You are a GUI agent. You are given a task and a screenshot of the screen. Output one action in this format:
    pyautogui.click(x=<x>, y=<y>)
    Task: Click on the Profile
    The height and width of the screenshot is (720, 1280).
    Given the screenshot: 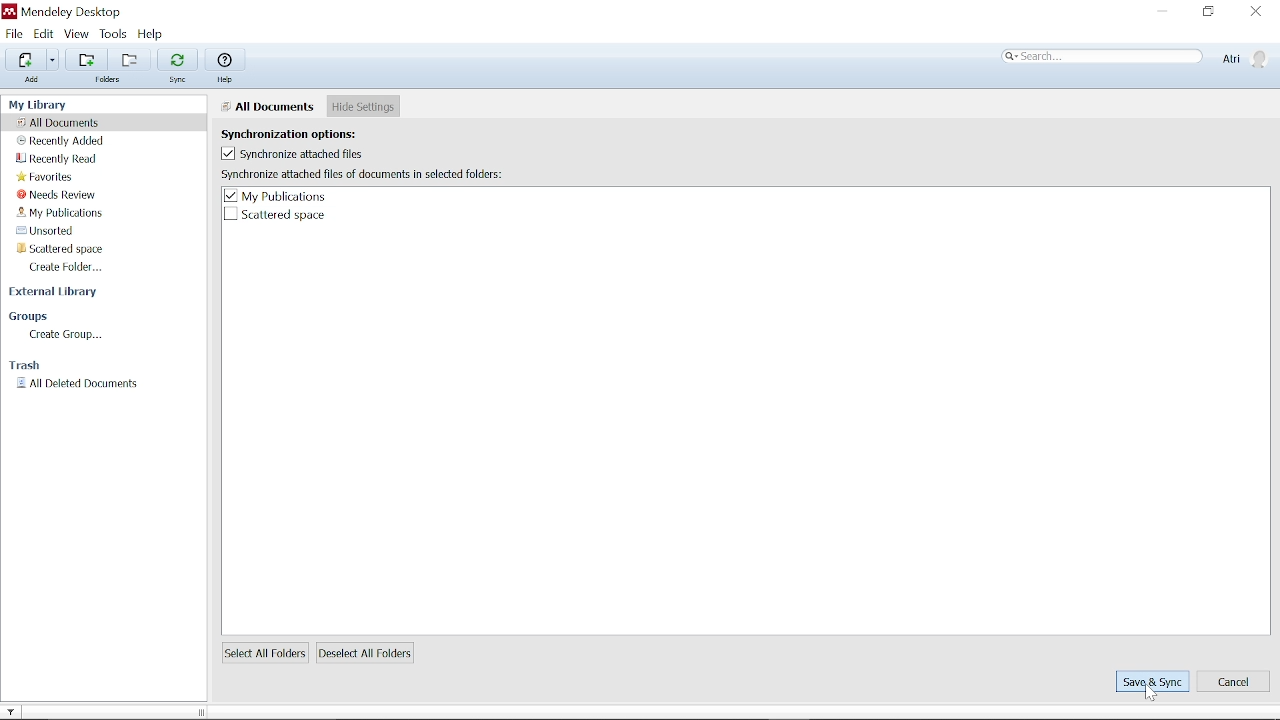 What is the action you would take?
    pyautogui.click(x=1243, y=58)
    